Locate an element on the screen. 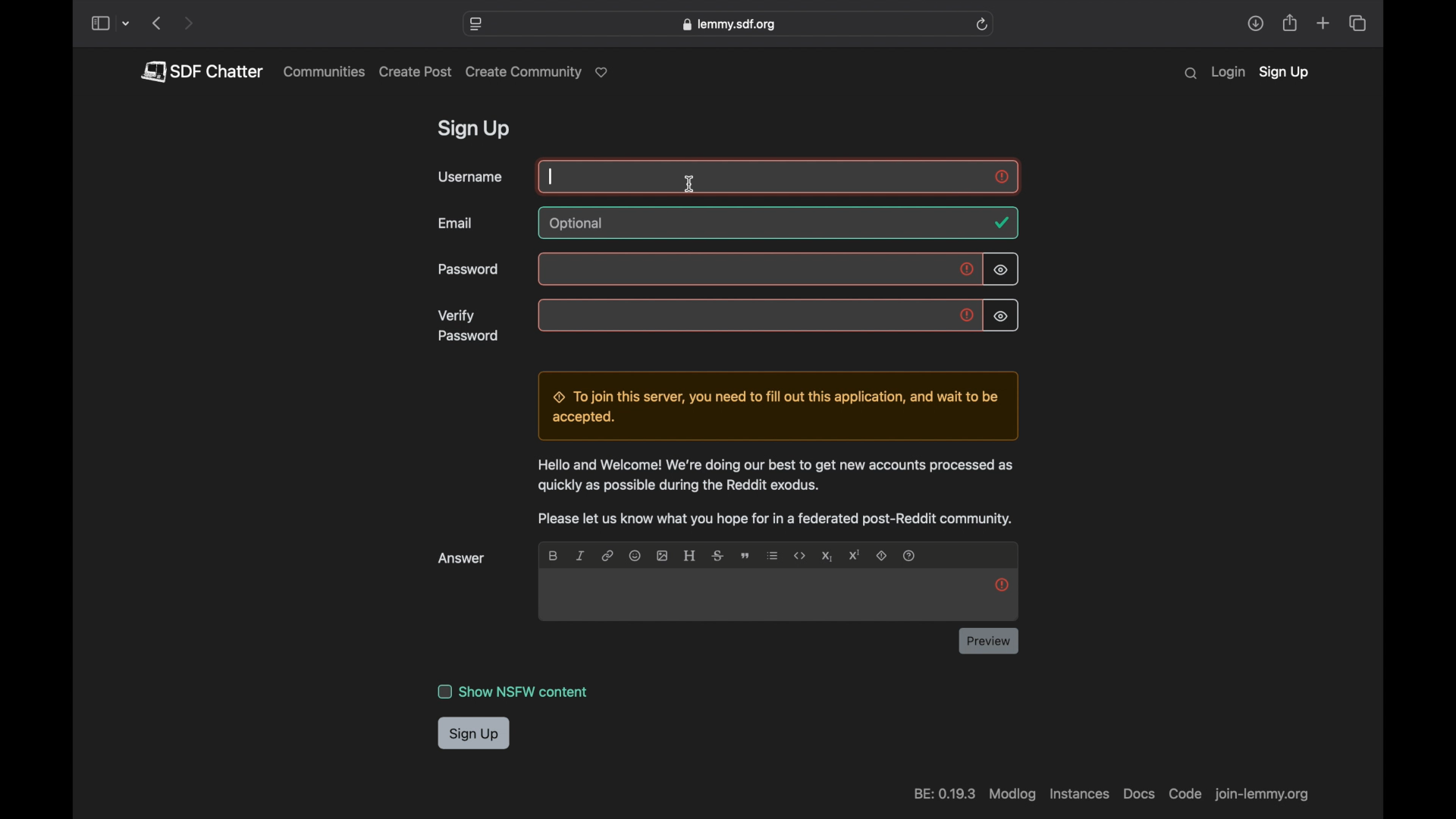  create post is located at coordinates (416, 72).